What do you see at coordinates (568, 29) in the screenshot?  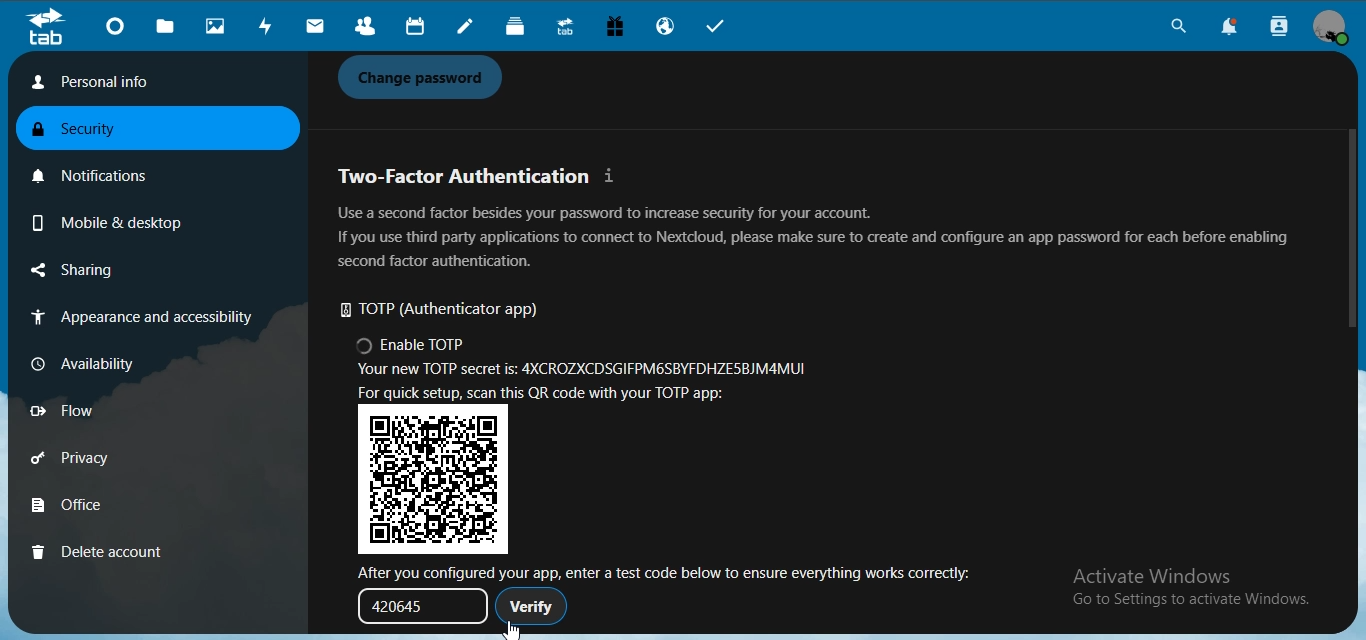 I see `upgrade` at bounding box center [568, 29].